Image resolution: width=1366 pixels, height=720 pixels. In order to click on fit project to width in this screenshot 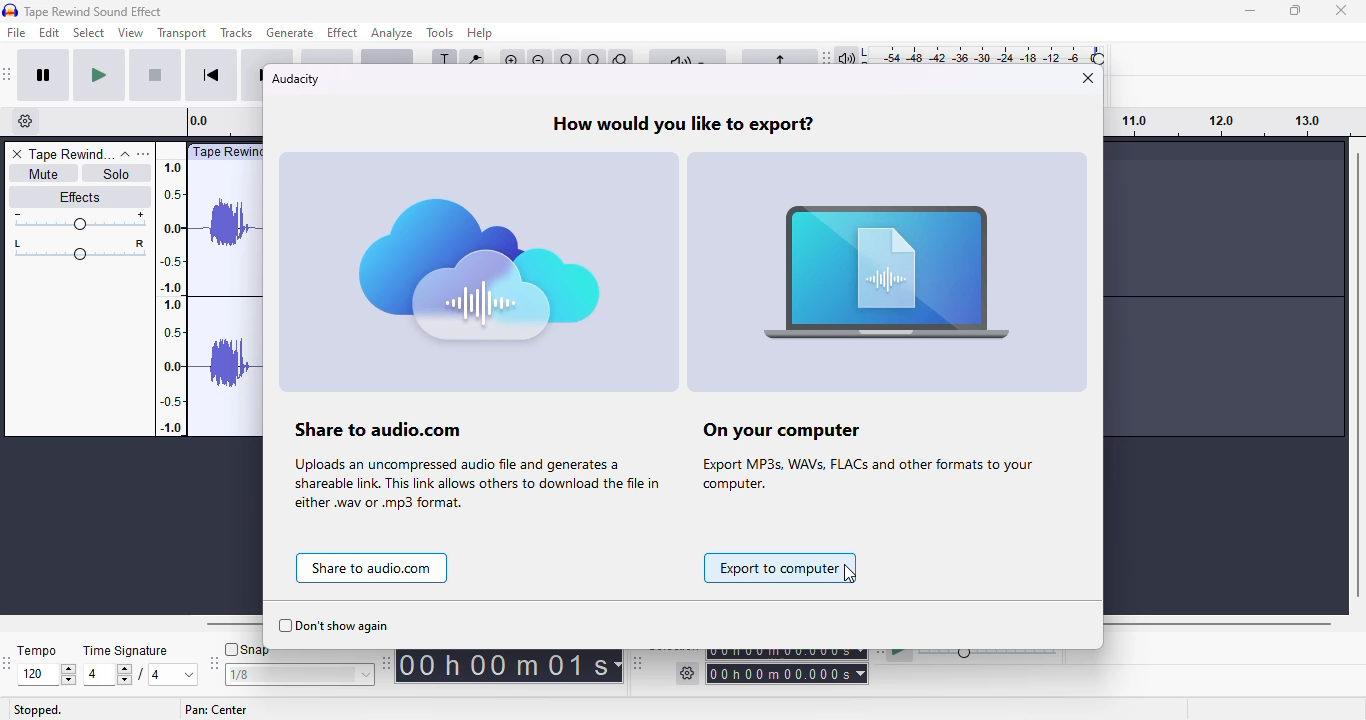, I will do `click(594, 61)`.